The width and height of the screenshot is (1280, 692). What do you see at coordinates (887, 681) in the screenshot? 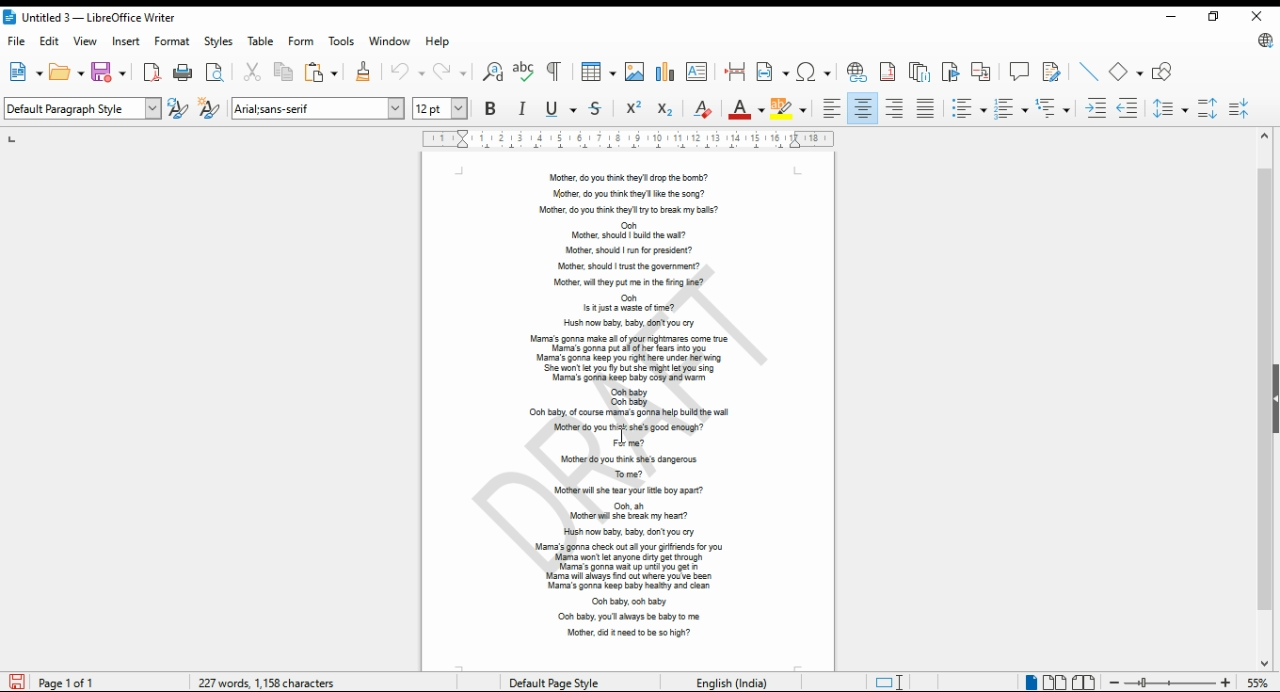
I see `toggle cursor` at bounding box center [887, 681].